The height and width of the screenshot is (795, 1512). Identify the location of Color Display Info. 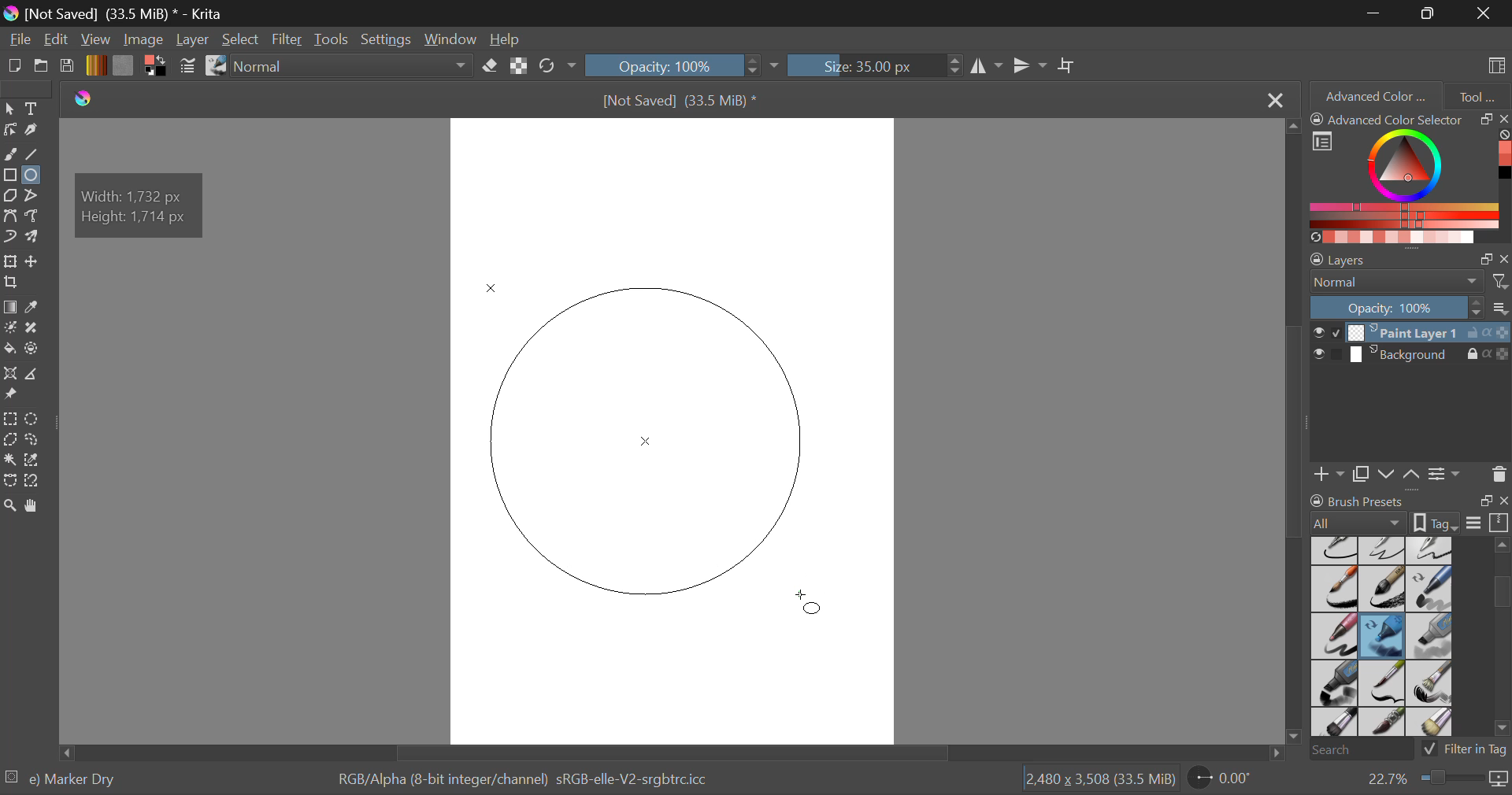
(528, 782).